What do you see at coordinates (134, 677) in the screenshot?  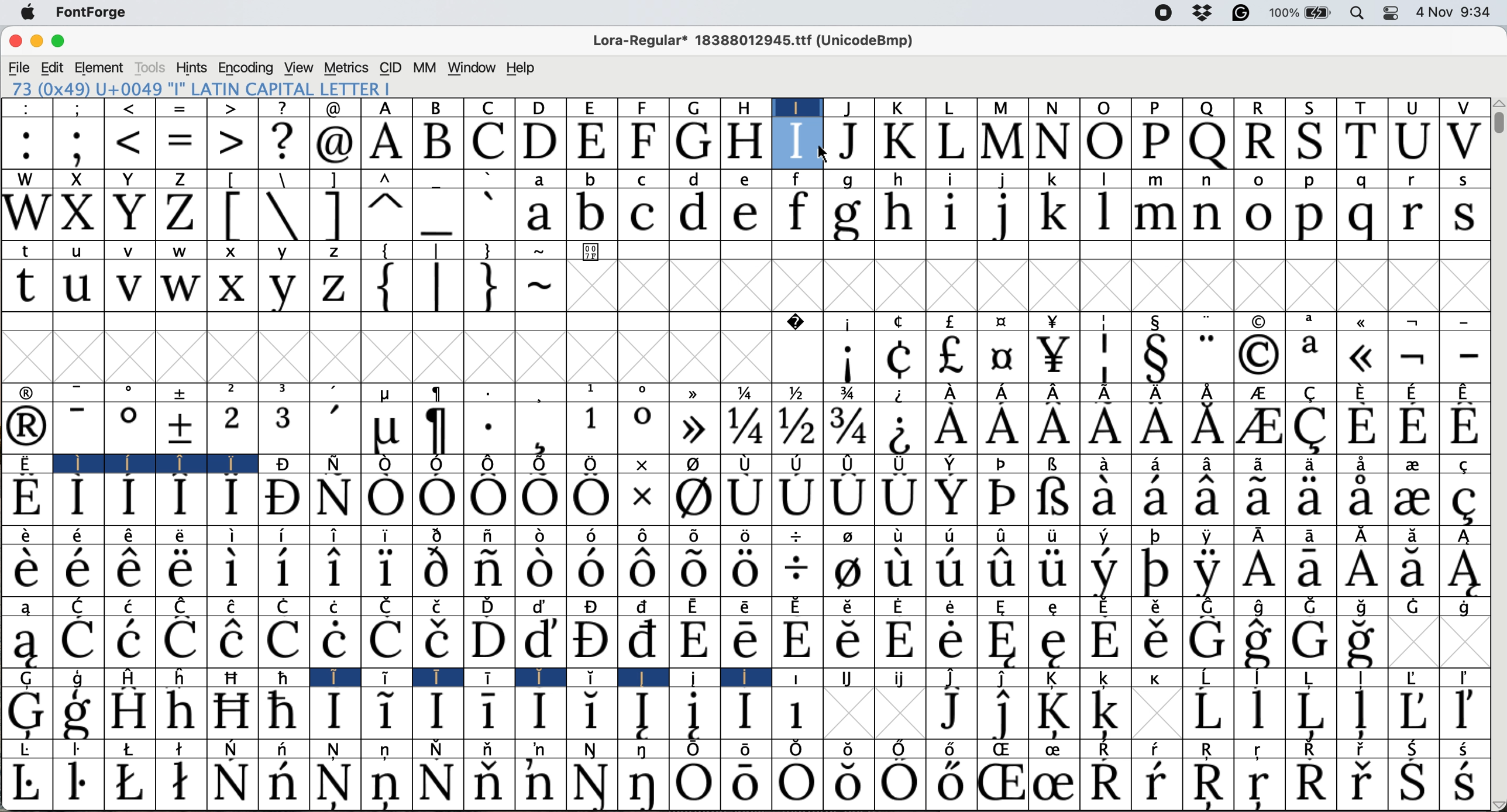 I see `H` at bounding box center [134, 677].